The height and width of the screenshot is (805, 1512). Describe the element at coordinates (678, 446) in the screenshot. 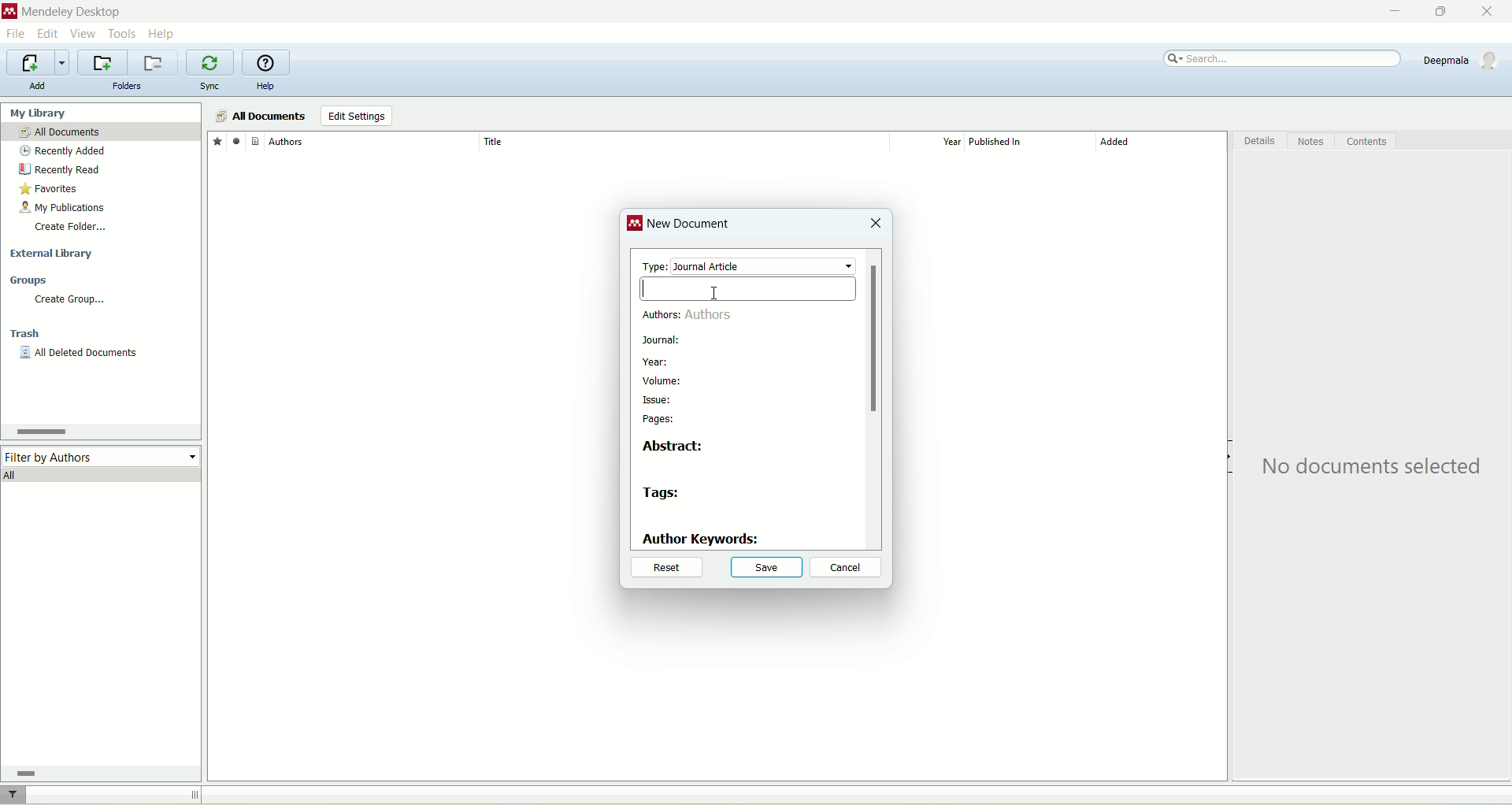

I see `abstract` at that location.